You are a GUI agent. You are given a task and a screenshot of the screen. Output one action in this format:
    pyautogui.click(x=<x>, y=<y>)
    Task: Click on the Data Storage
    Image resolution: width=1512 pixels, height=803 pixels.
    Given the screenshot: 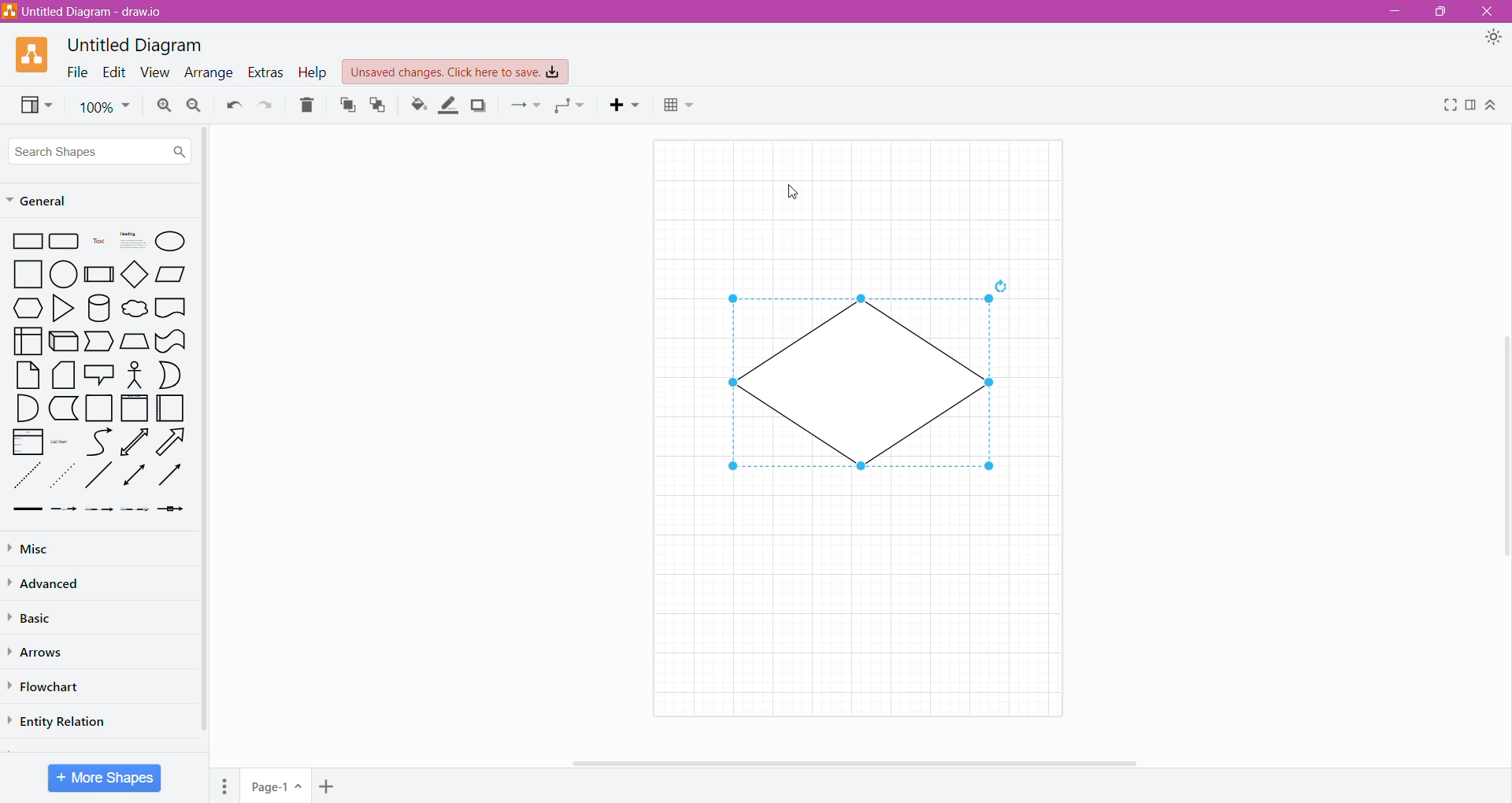 What is the action you would take?
    pyautogui.click(x=65, y=408)
    